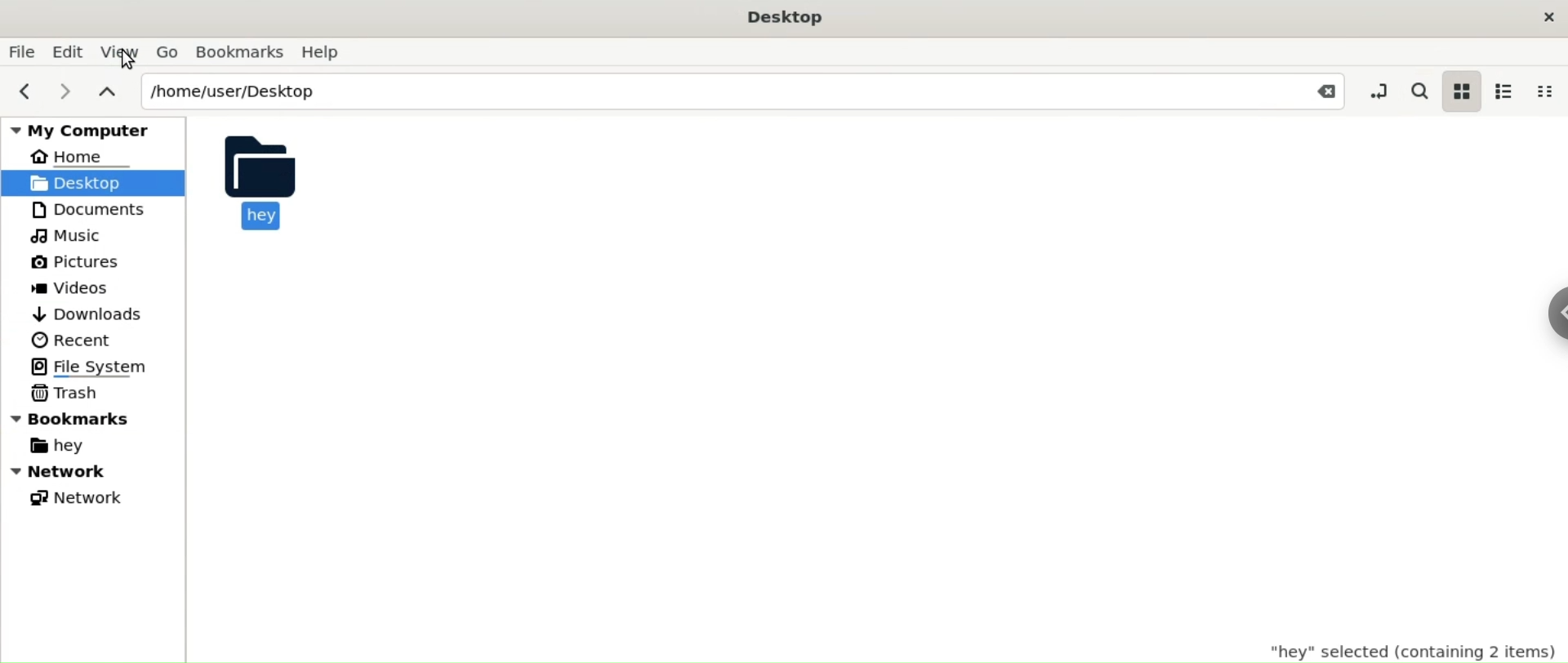 The width and height of the screenshot is (1568, 663). Describe the element at coordinates (86, 182) in the screenshot. I see `Desktop` at that location.